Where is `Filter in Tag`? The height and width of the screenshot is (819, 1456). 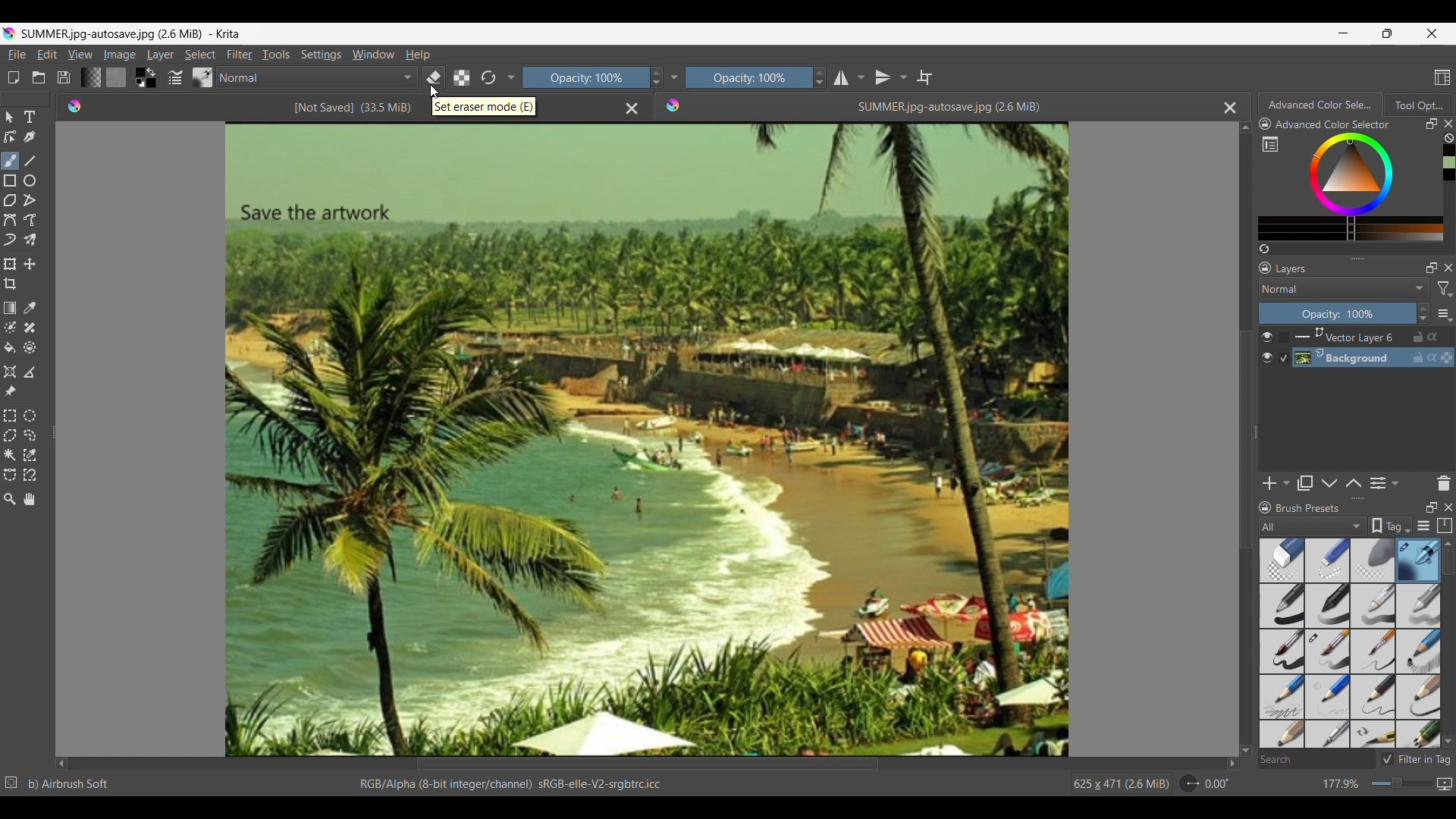
Filter in Tag is located at coordinates (1416, 759).